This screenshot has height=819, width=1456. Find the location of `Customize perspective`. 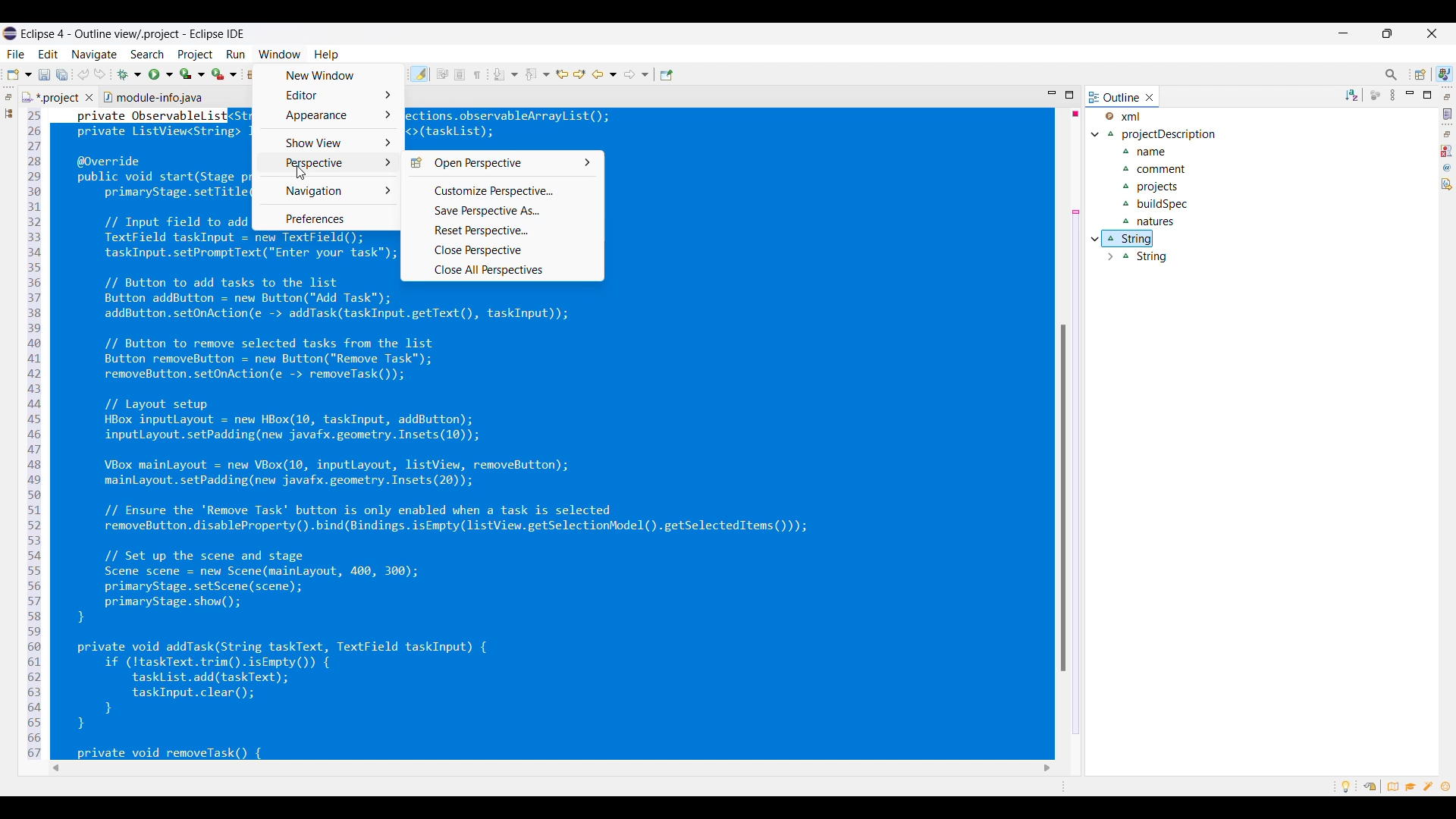

Customize perspective is located at coordinates (502, 190).